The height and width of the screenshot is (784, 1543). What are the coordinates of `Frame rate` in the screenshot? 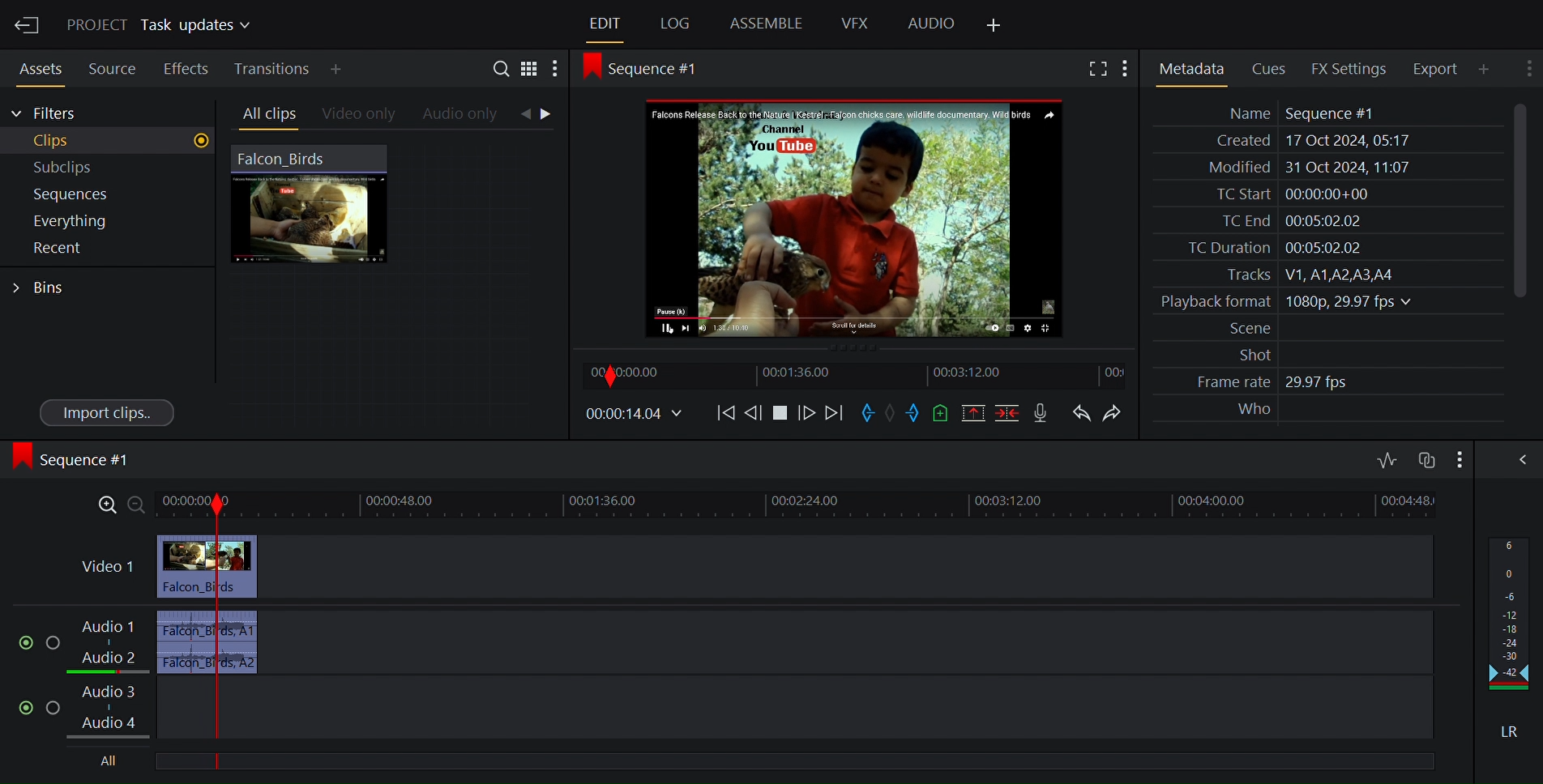 It's located at (1225, 382).